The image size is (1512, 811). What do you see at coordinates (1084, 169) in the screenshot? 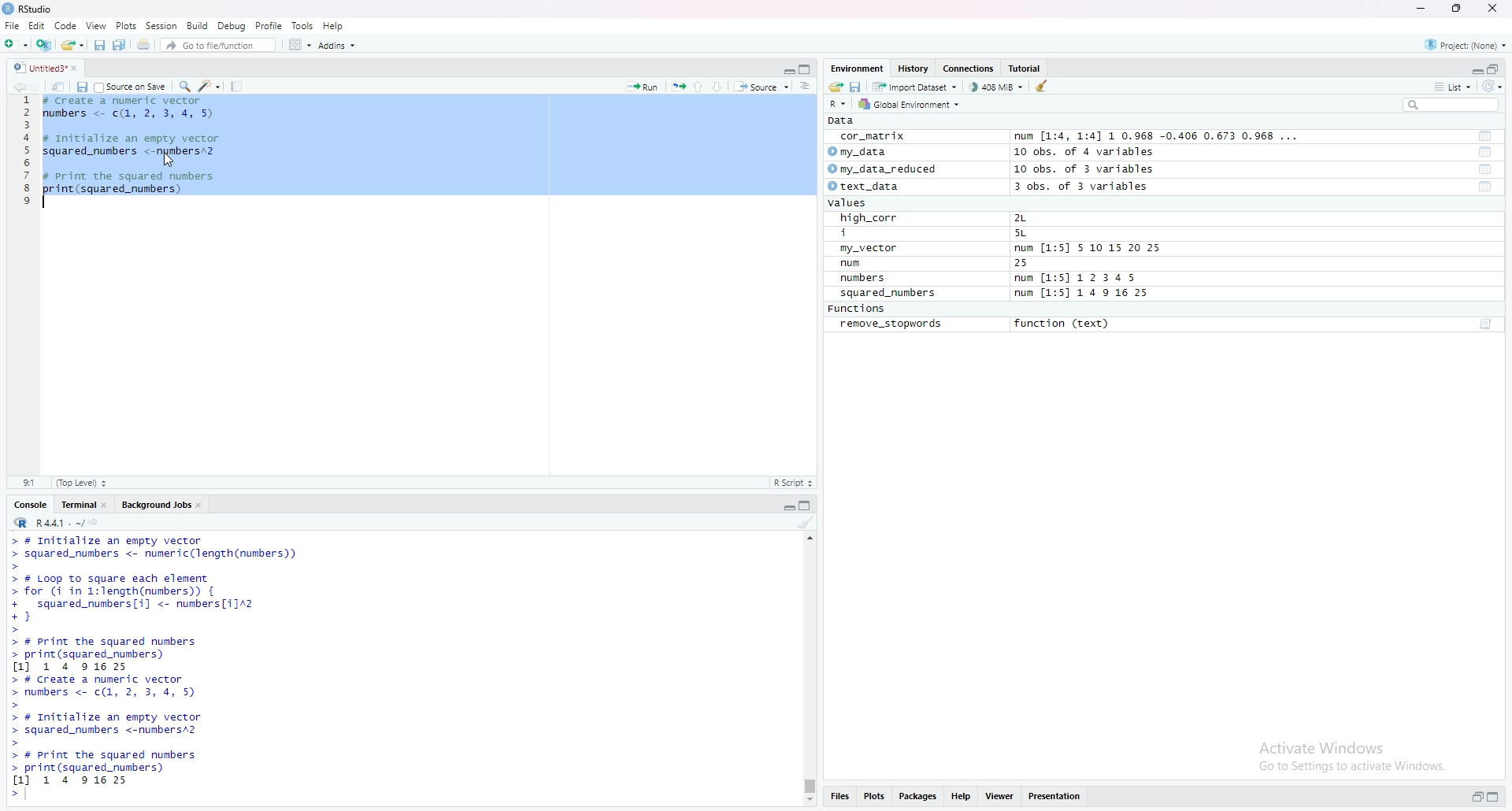
I see `10 obs. of 3 variables` at bounding box center [1084, 169].